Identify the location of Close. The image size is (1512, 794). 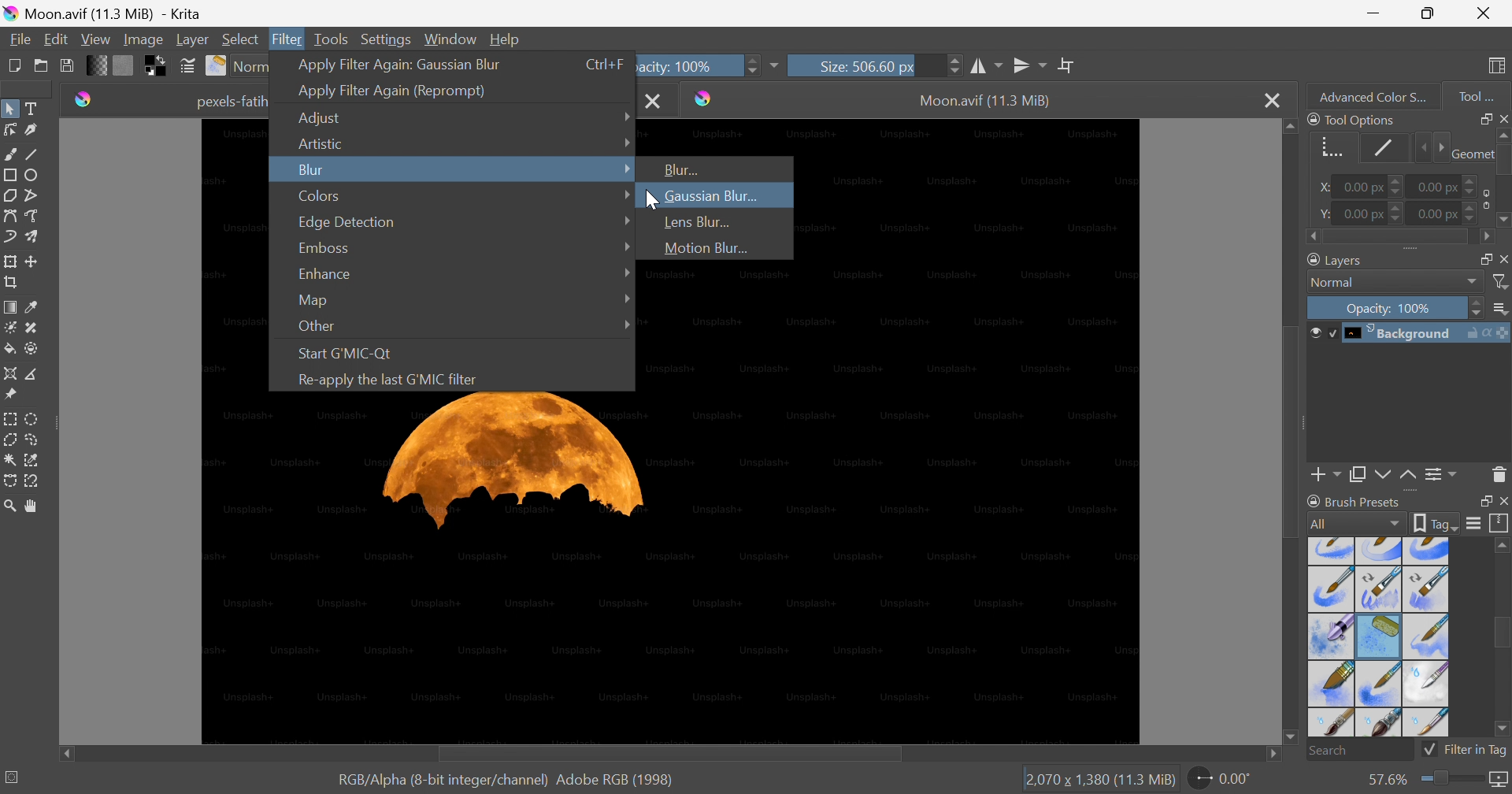
(1503, 501).